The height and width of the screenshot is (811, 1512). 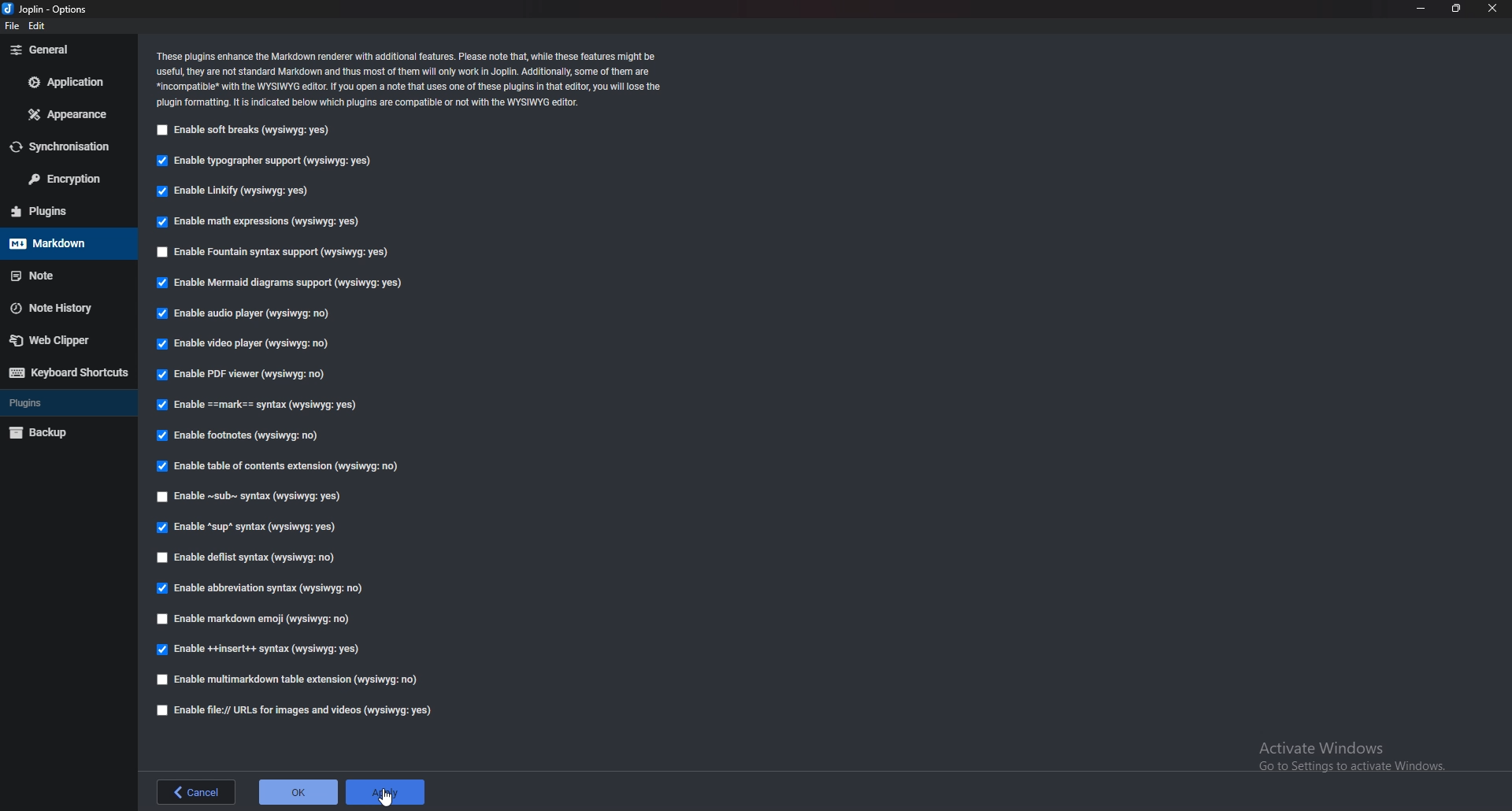 What do you see at coordinates (67, 114) in the screenshot?
I see `appearance` at bounding box center [67, 114].